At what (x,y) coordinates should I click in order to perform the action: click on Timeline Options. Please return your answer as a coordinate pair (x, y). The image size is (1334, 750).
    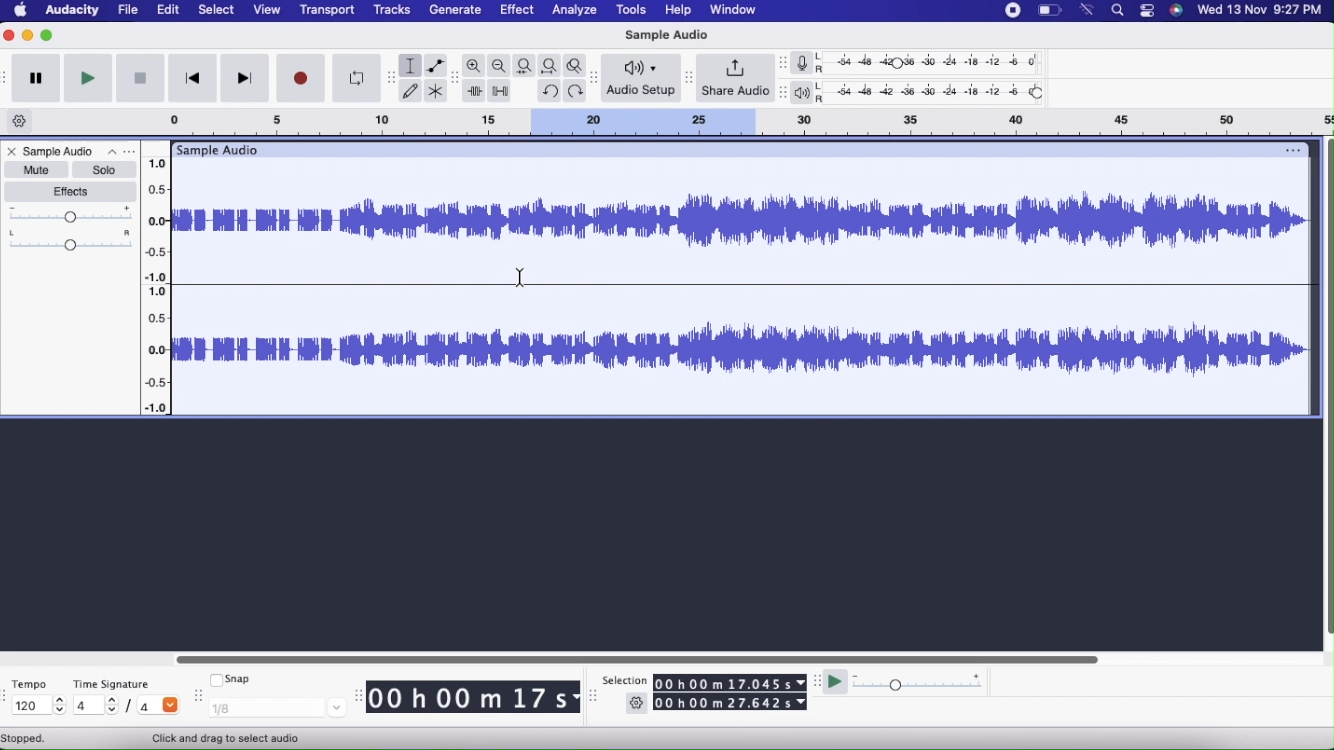
    Looking at the image, I should click on (21, 122).